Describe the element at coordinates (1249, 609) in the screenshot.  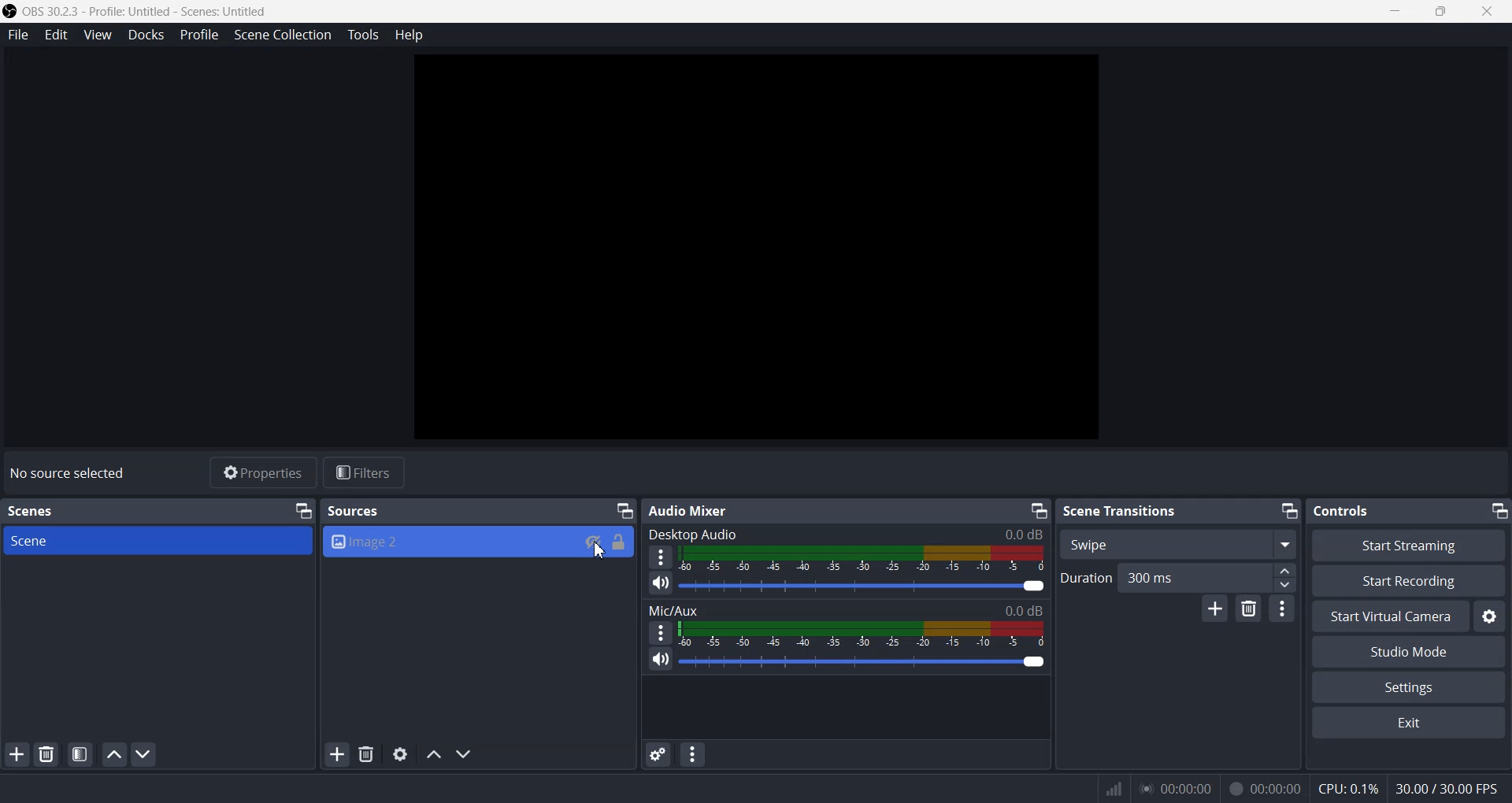
I see `Remove configurable transition` at that location.